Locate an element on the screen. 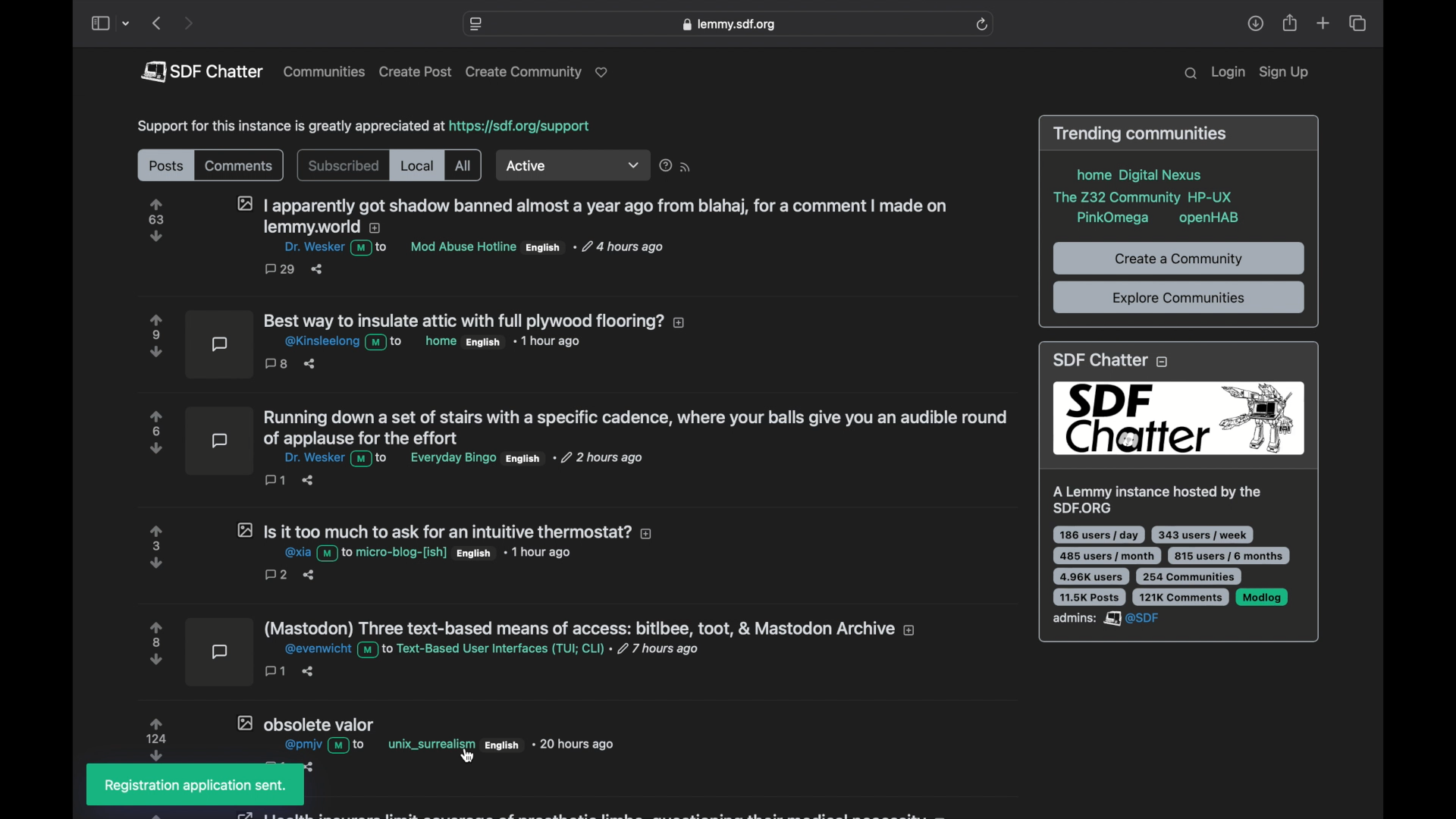  new tab is located at coordinates (1324, 23).